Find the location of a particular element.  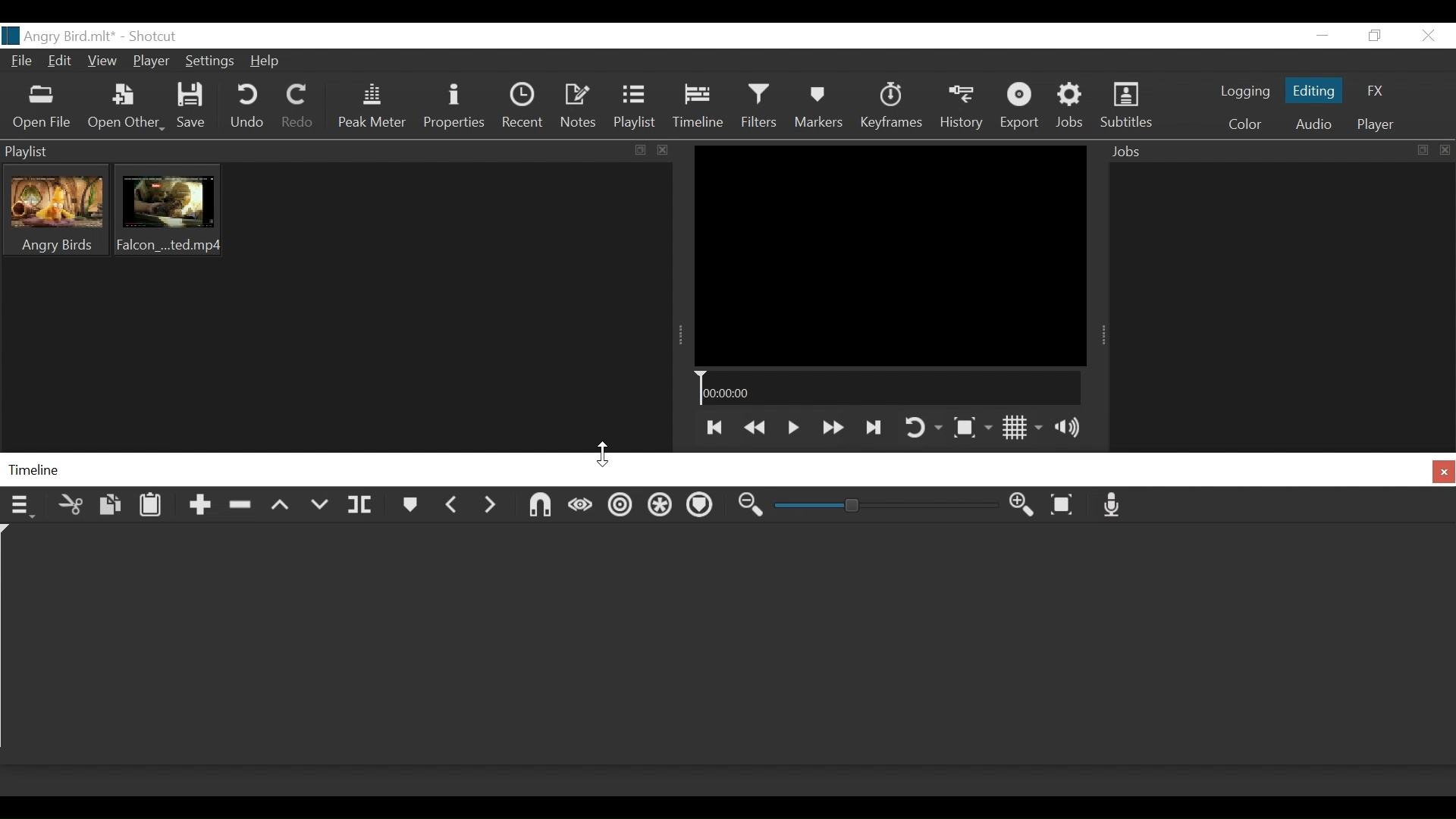

Show volume control is located at coordinates (1075, 428).